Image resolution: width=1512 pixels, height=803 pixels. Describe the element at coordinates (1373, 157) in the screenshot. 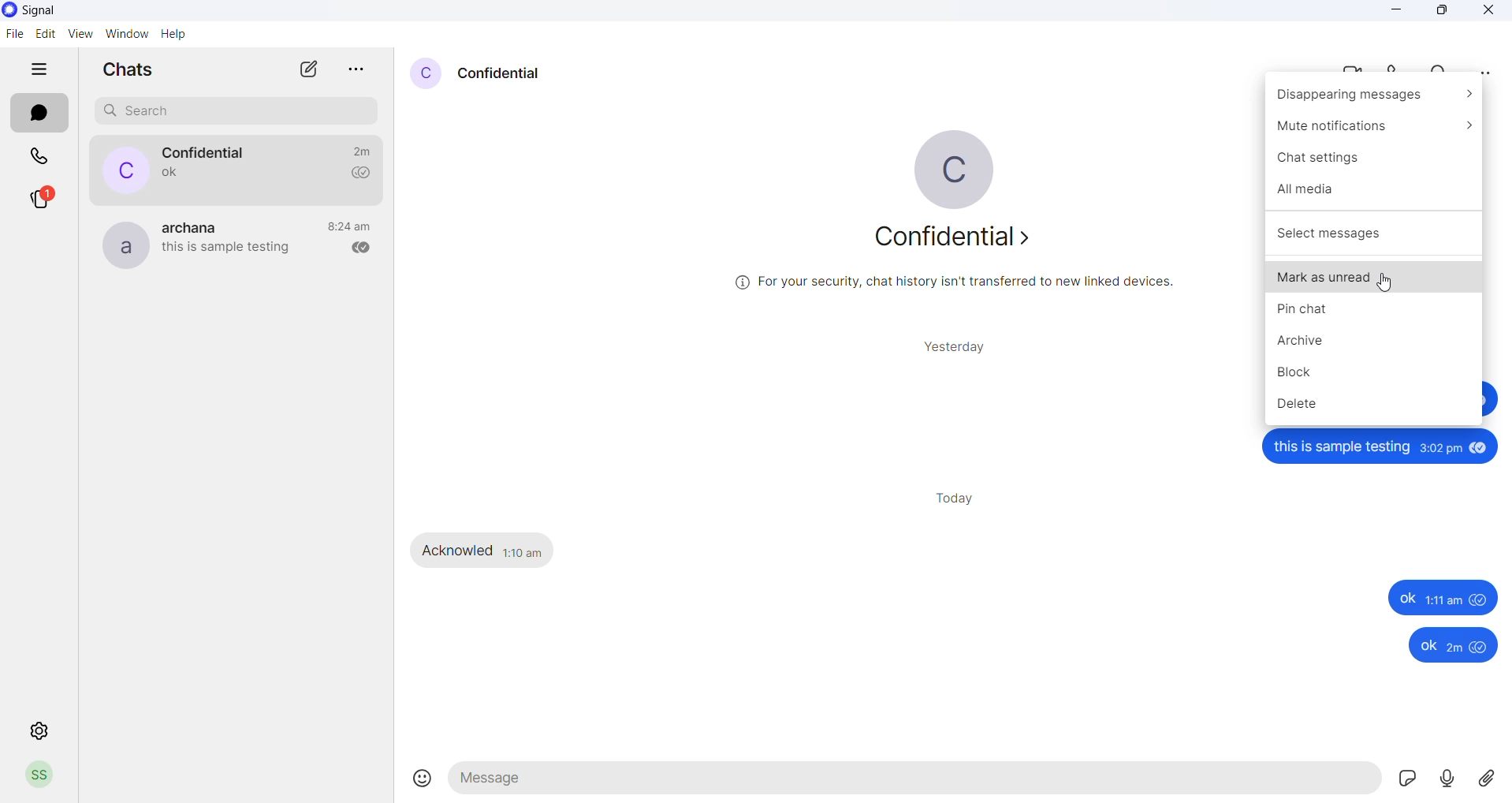

I see `chat settings` at that location.